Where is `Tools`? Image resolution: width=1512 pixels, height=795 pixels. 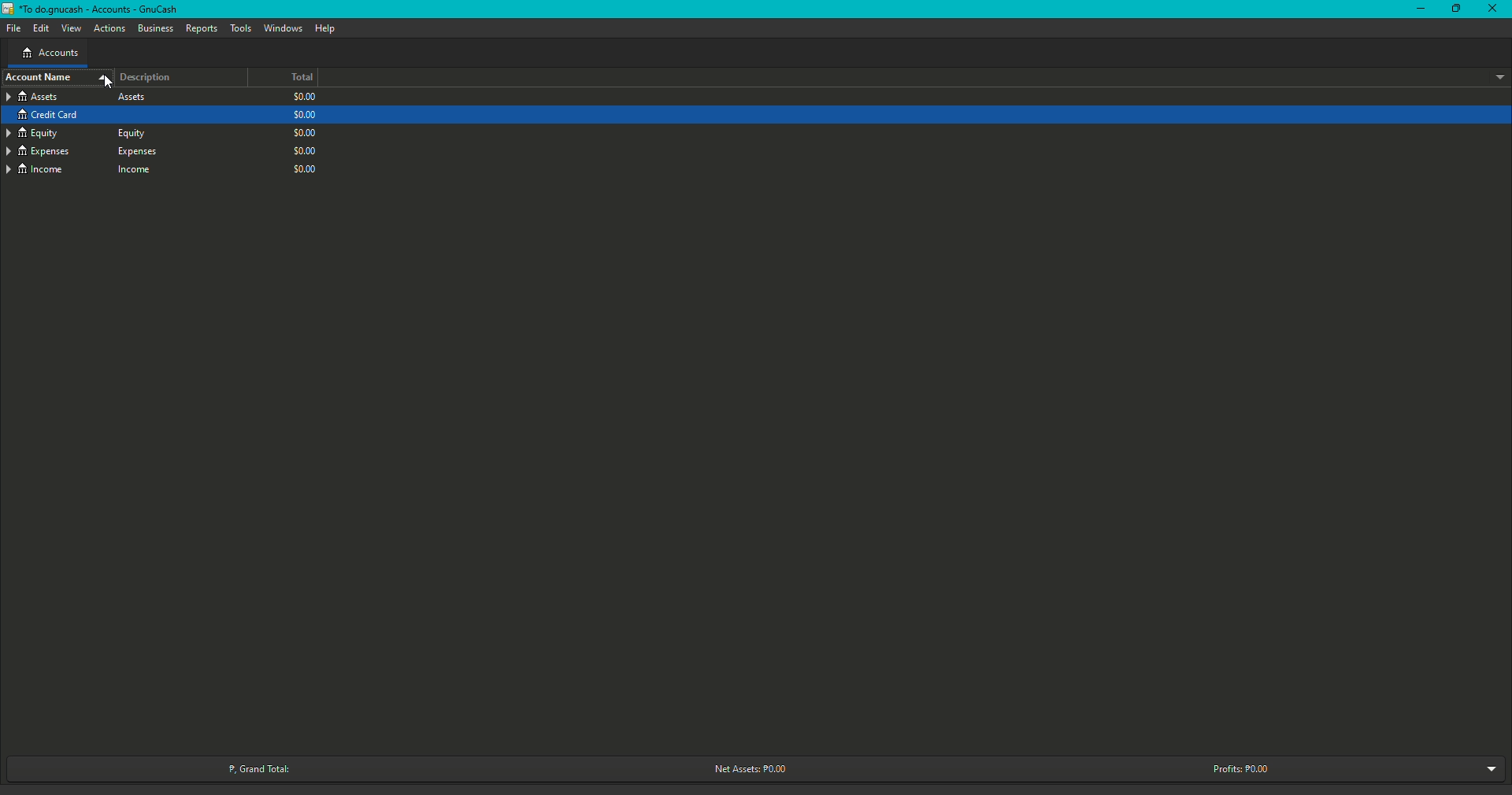 Tools is located at coordinates (238, 28).